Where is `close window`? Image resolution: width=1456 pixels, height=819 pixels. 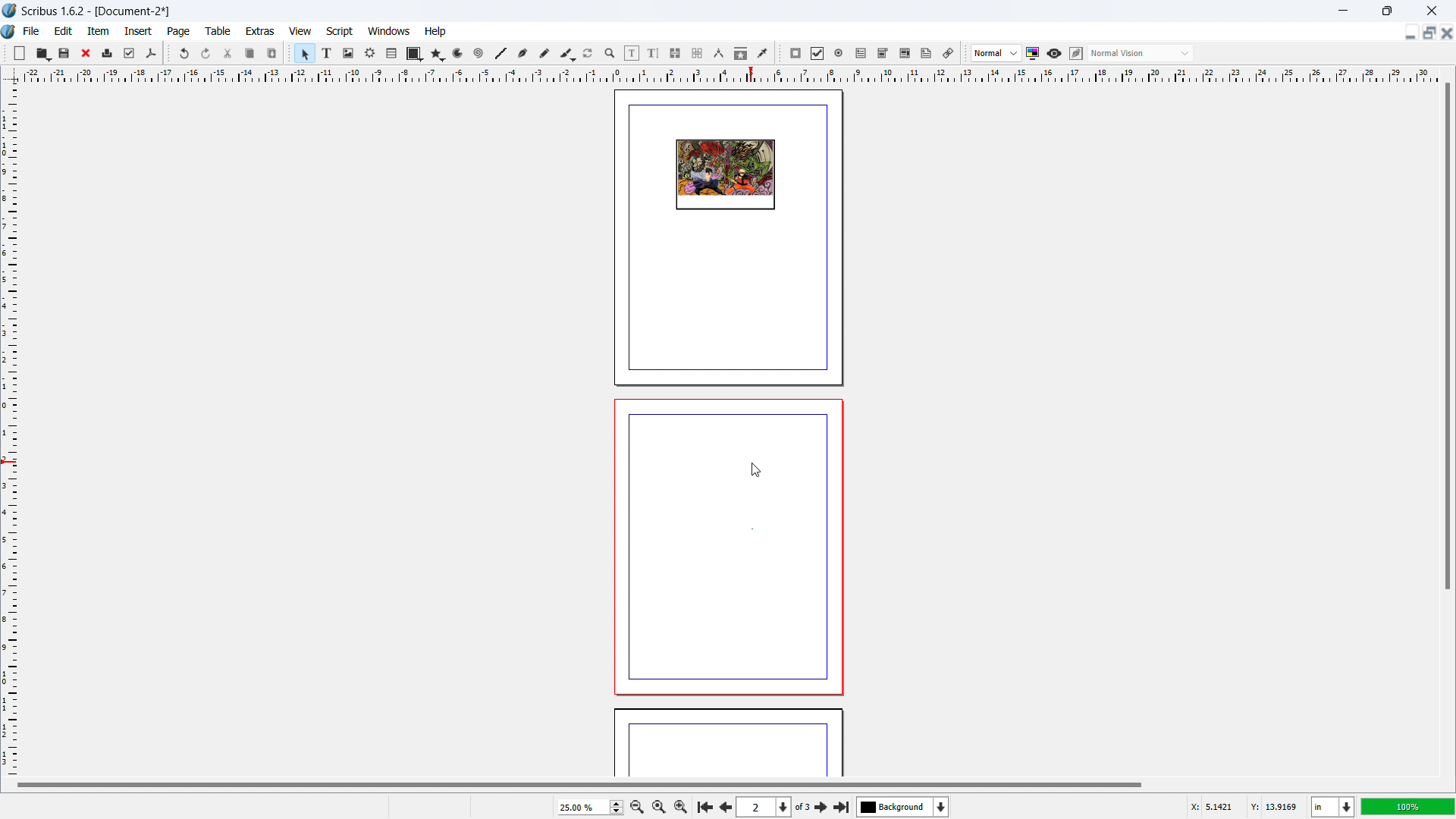 close window is located at coordinates (1430, 10).